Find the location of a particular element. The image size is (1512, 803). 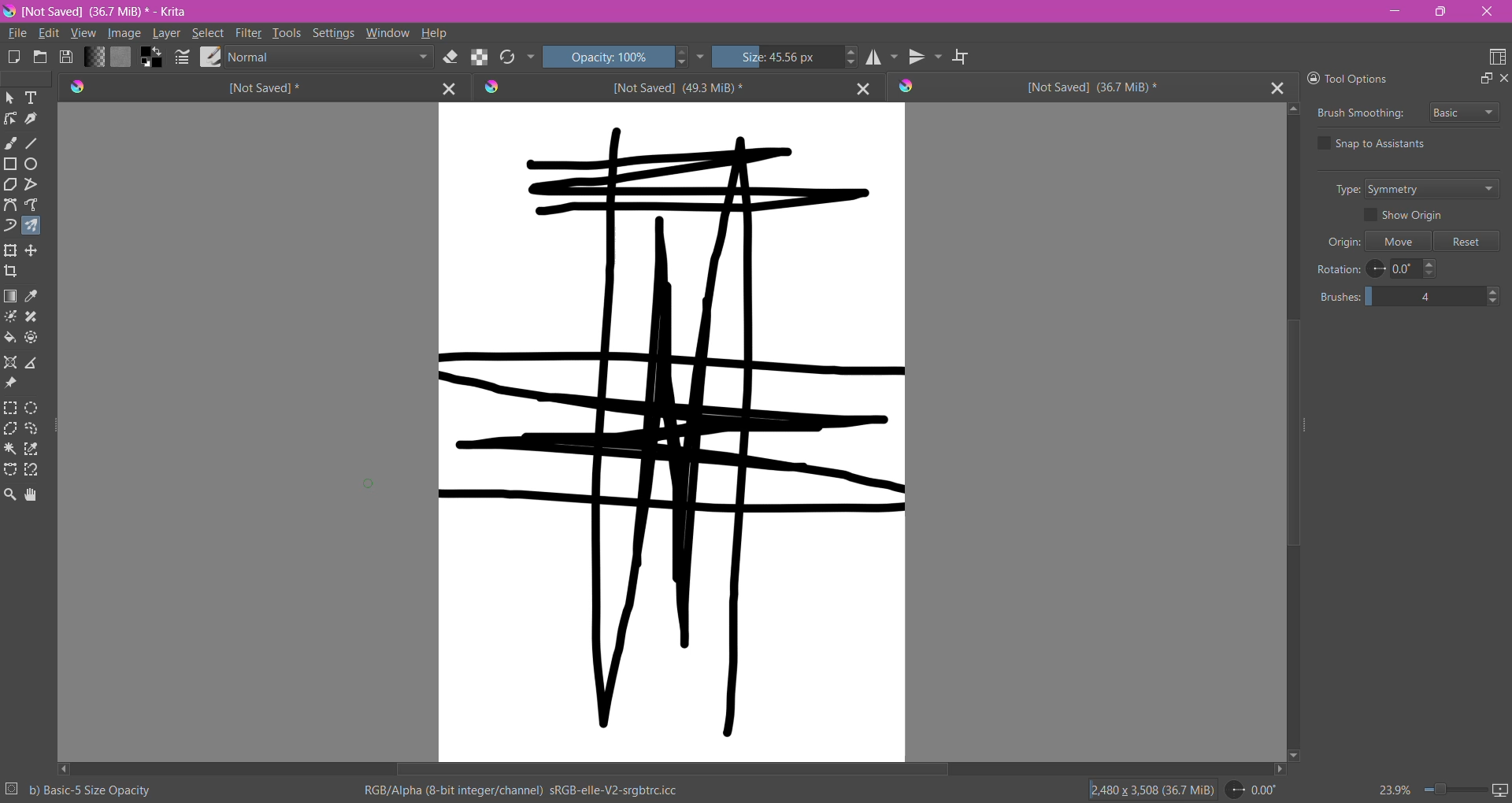

Select Brush Smoothing style is located at coordinates (1464, 111).